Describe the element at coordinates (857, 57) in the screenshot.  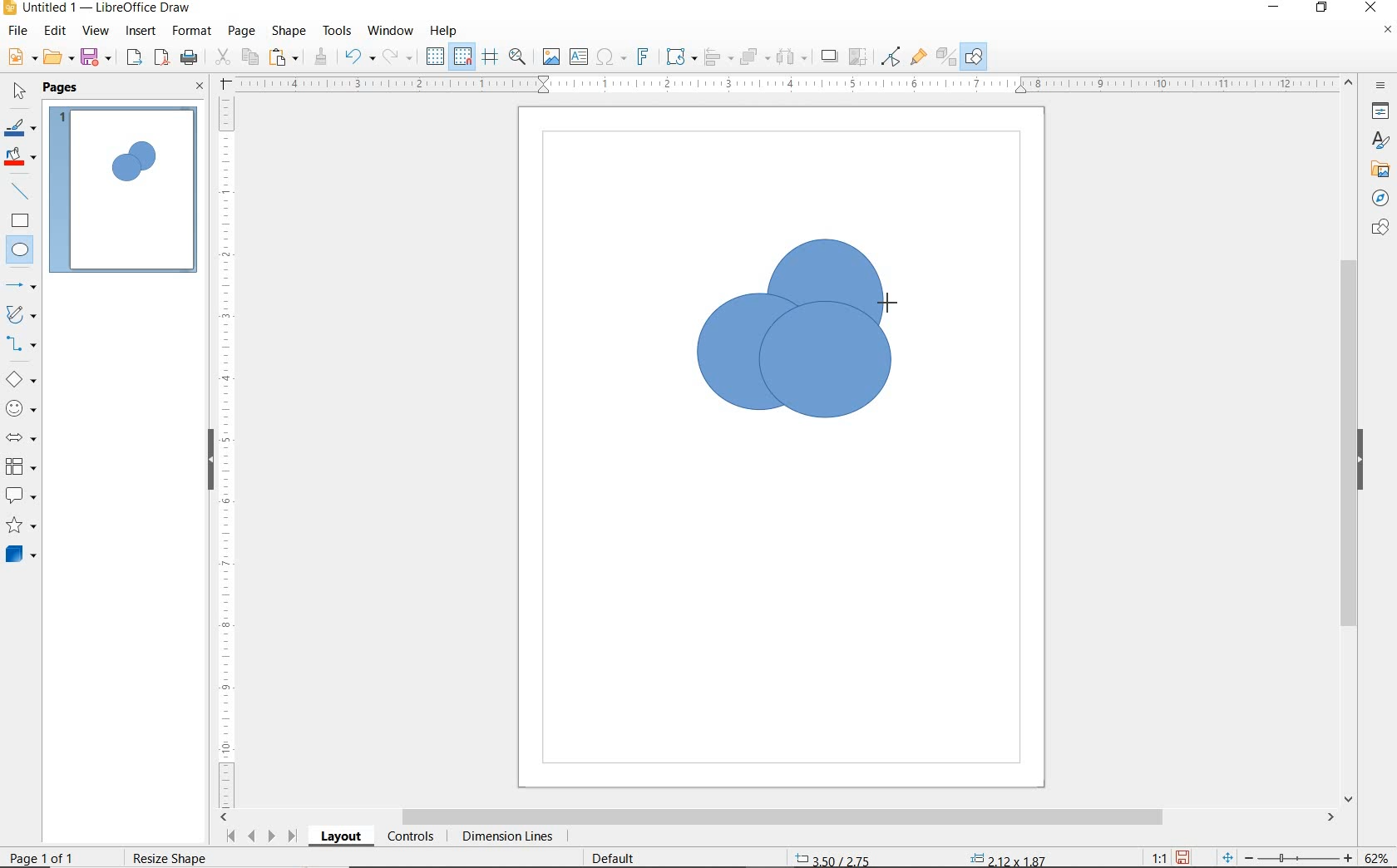
I see `CROP IMAGE` at that location.